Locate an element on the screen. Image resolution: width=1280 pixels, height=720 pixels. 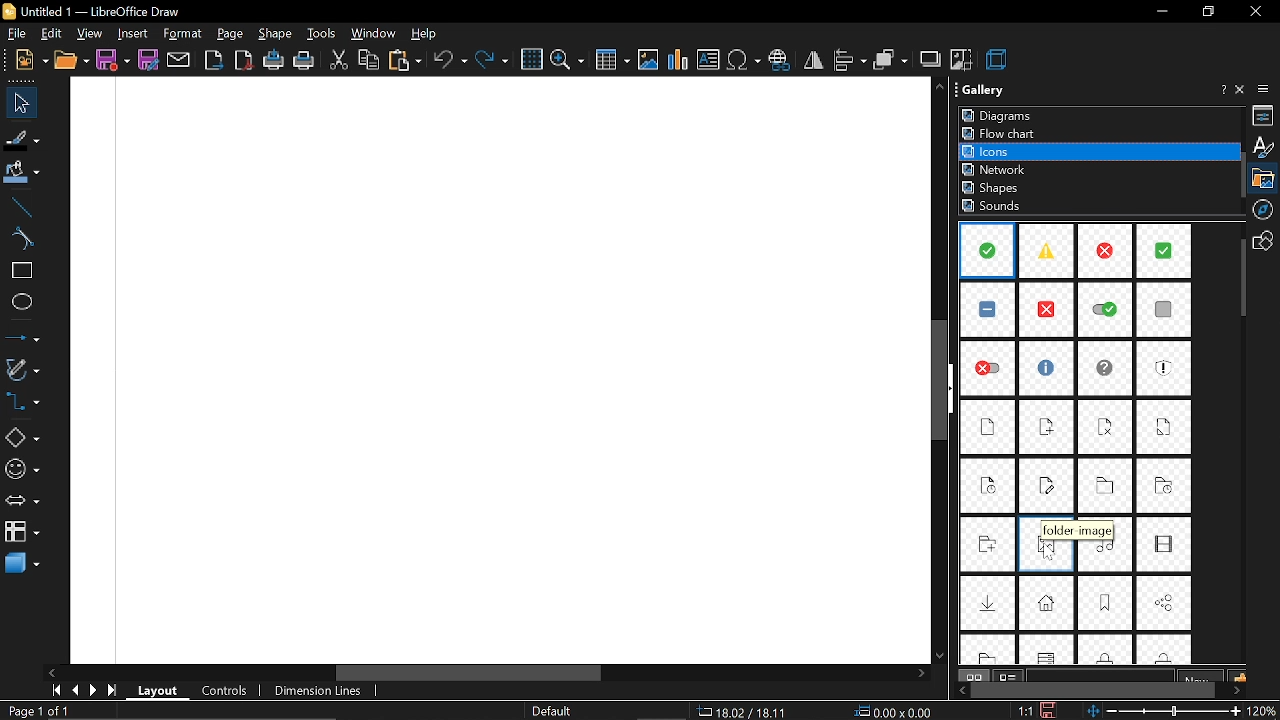
insert is located at coordinates (130, 34).